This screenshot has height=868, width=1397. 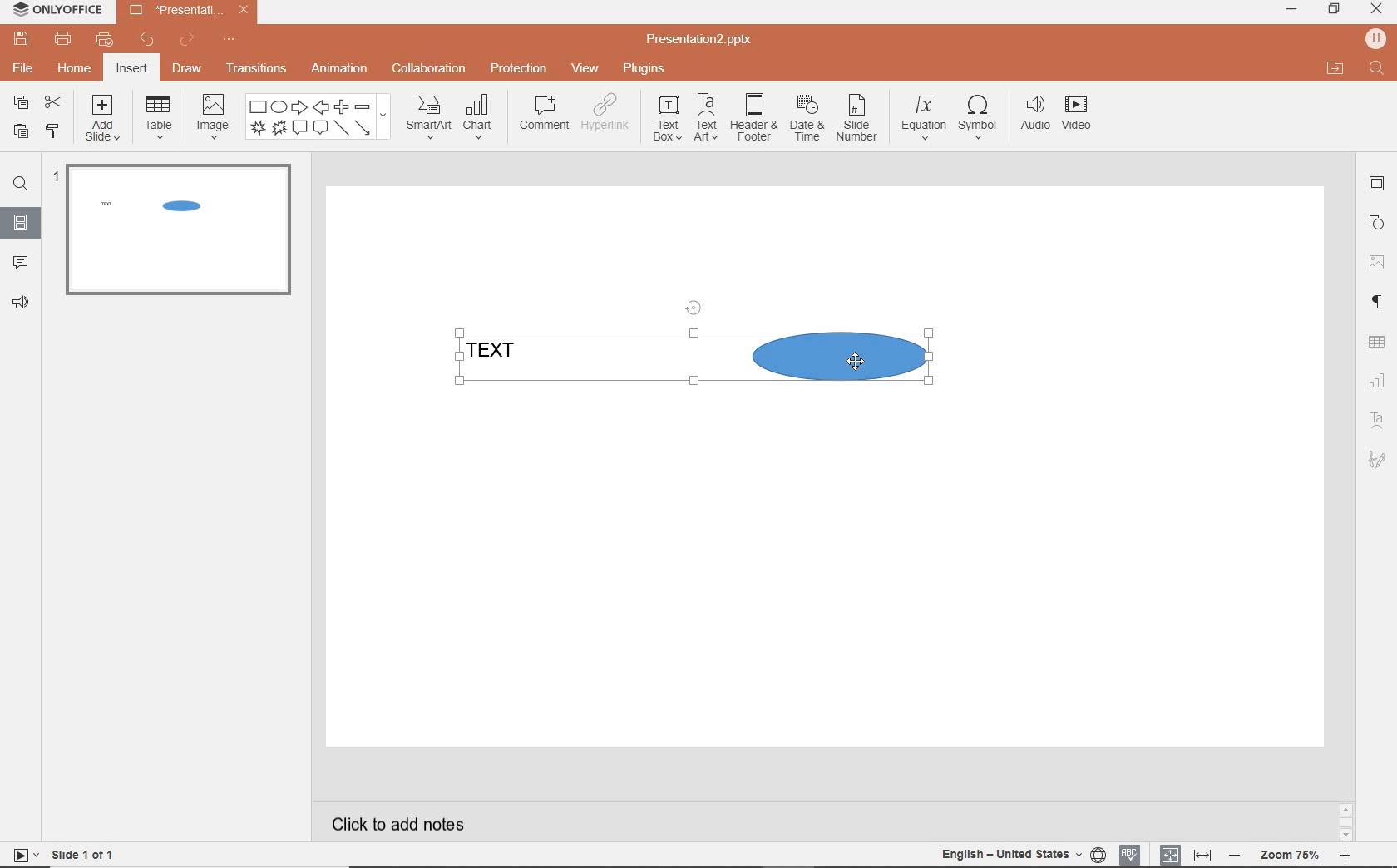 What do you see at coordinates (665, 119) in the screenshot?
I see `textbox` at bounding box center [665, 119].